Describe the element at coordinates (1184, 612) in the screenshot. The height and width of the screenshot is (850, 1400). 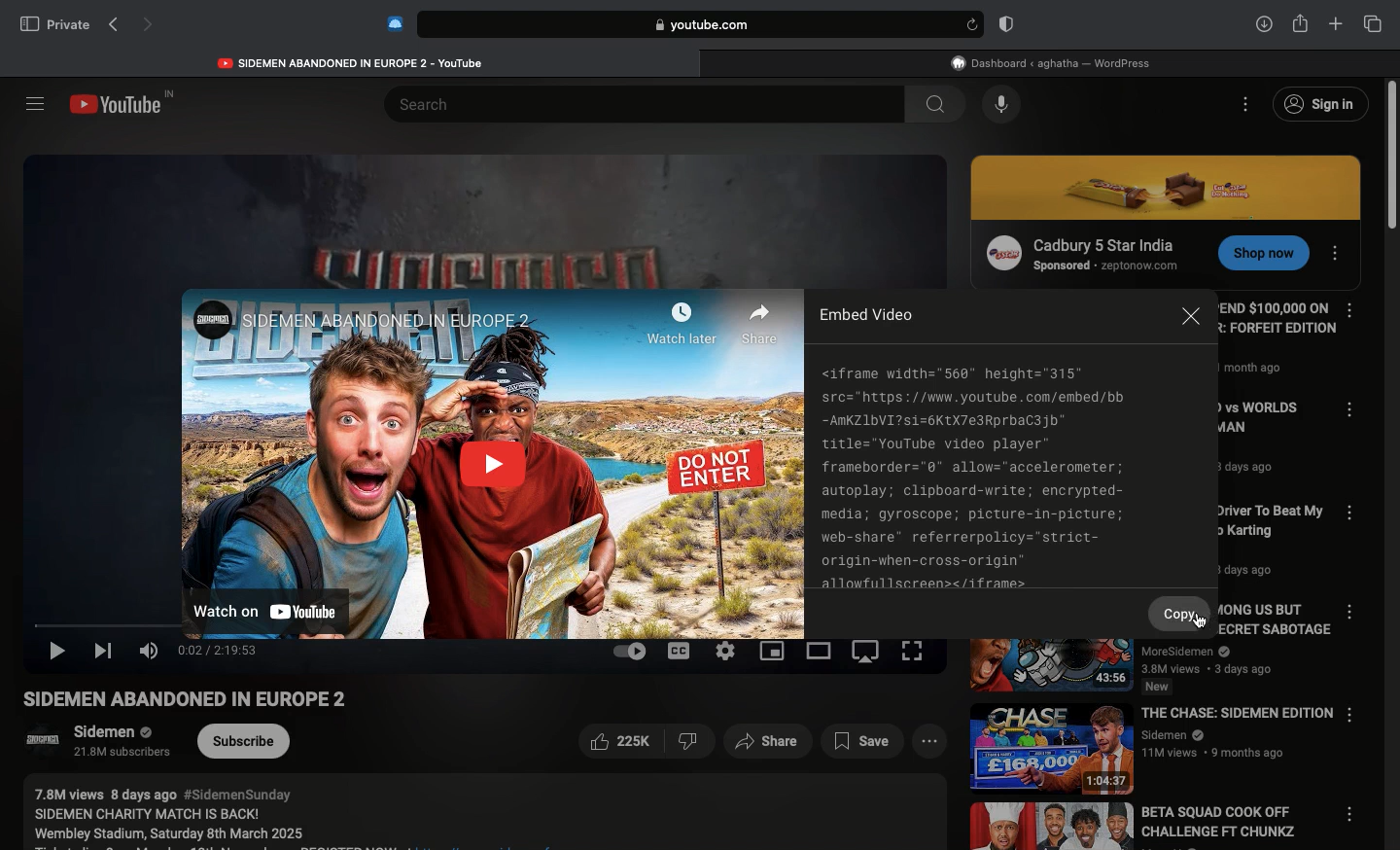
I see `copy` at that location.